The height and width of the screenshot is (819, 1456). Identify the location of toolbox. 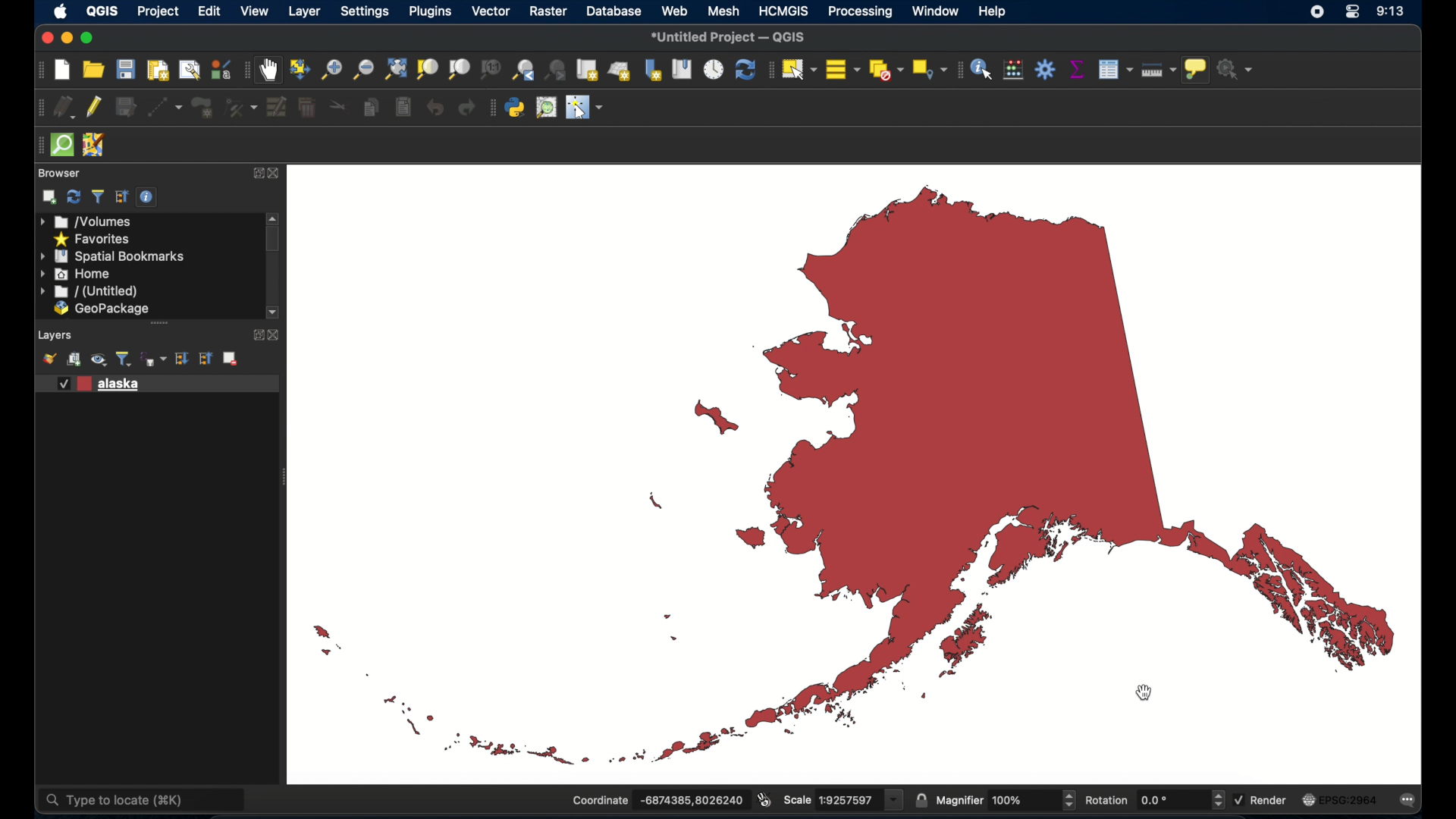
(1045, 67).